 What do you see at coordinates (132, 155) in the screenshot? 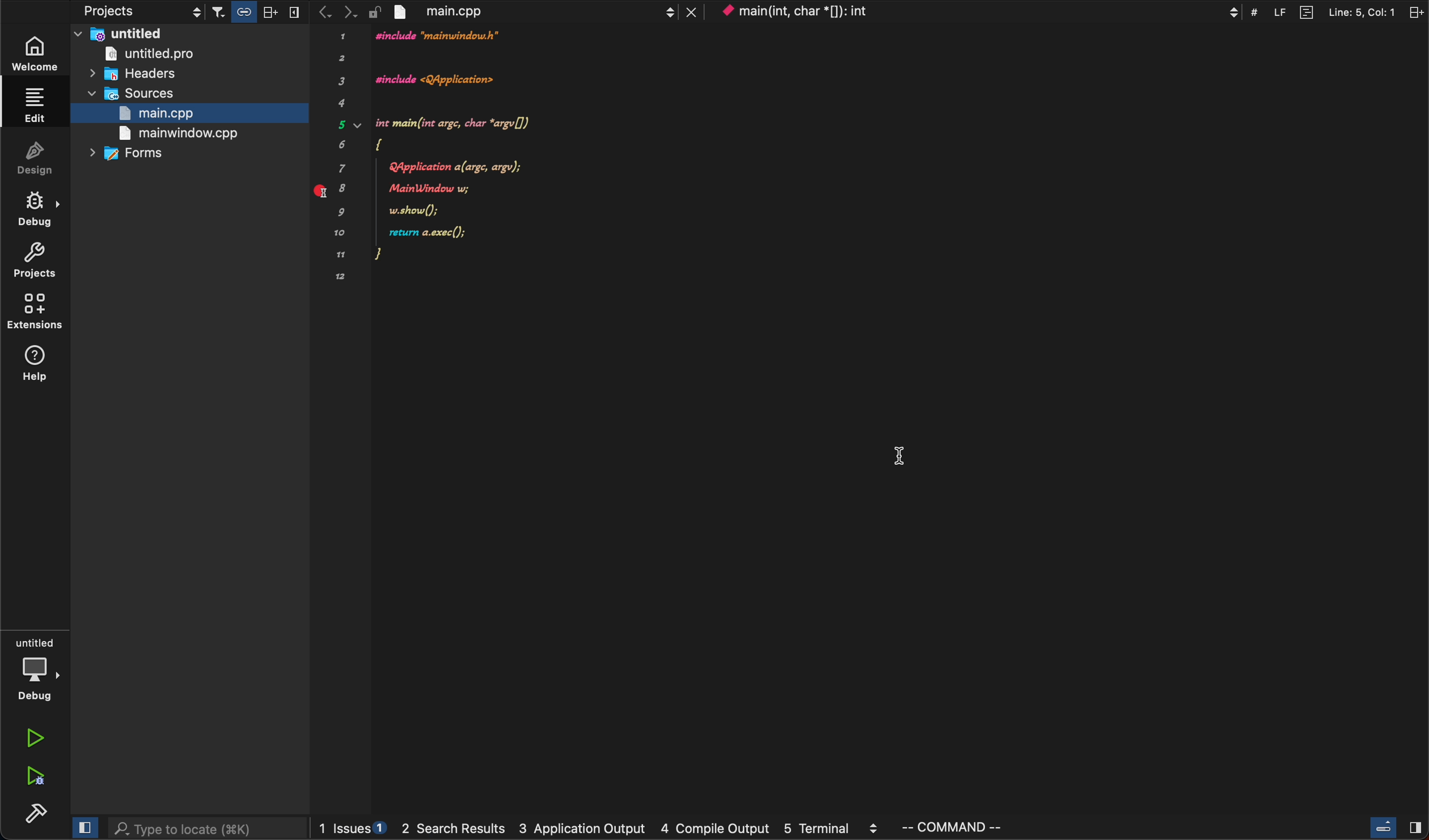
I see `forms` at bounding box center [132, 155].